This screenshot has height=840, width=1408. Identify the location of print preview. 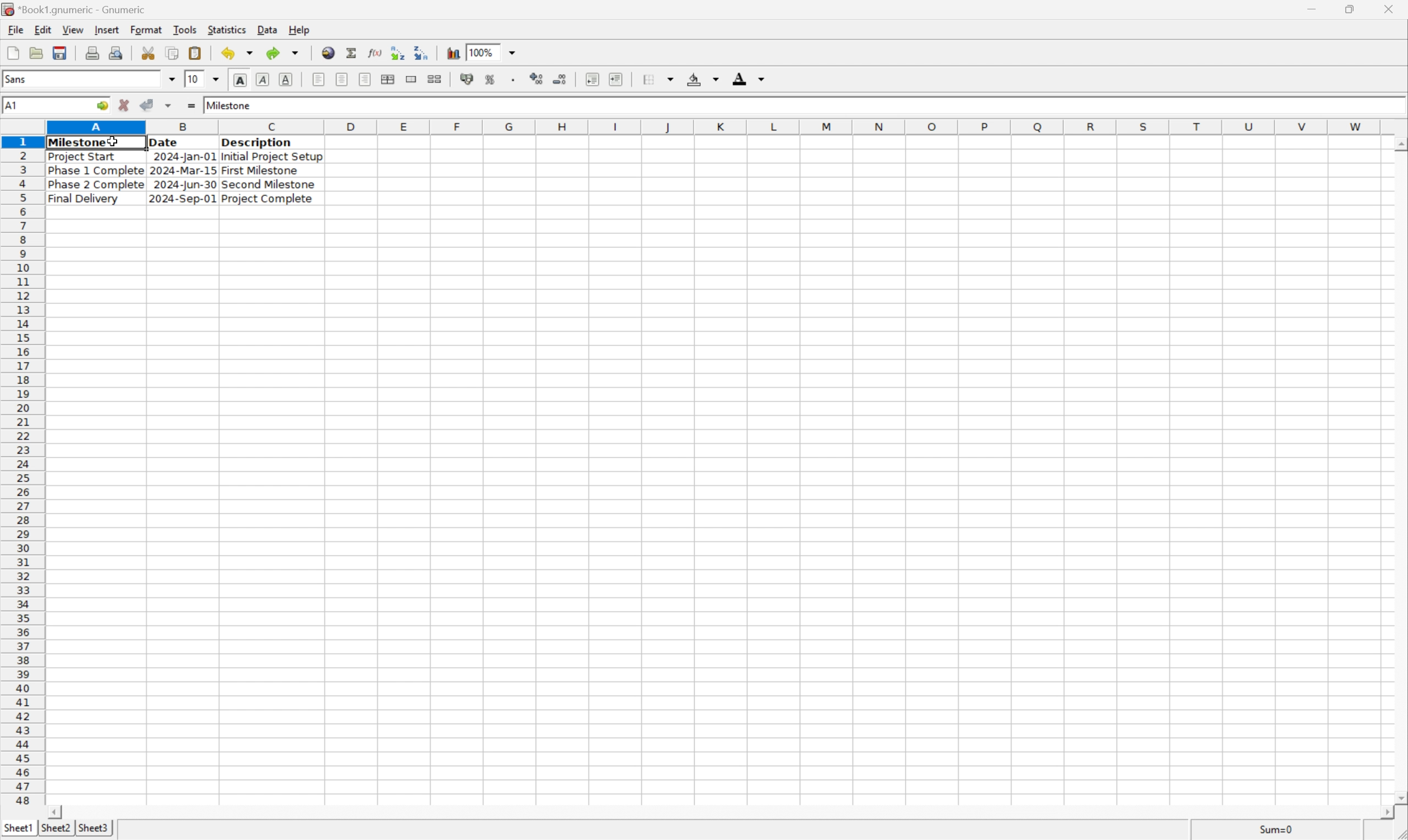
(92, 52).